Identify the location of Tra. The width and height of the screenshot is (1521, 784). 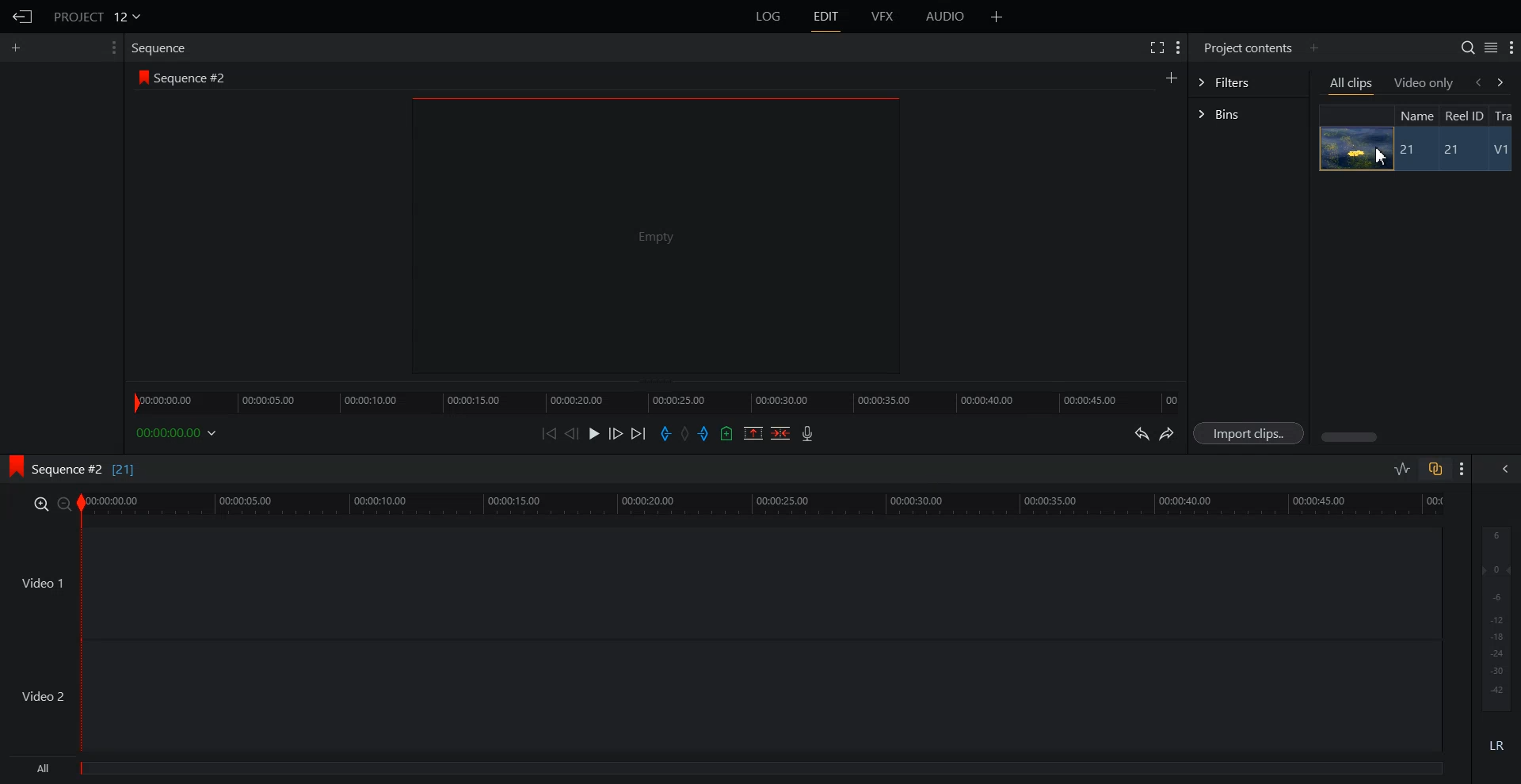
(1505, 115).